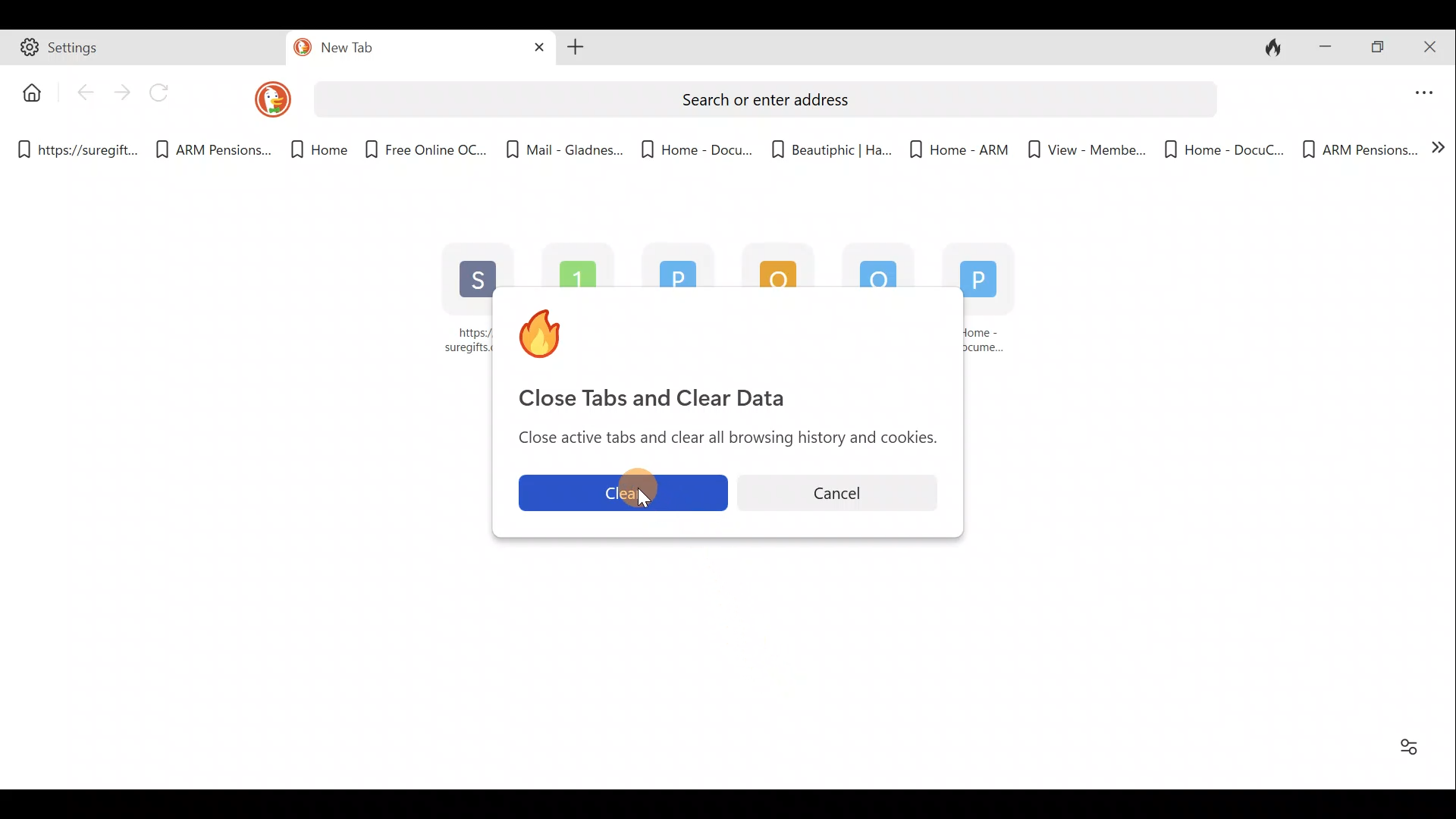  I want to click on ARM Pensions Internet Portal, so click(581, 263).